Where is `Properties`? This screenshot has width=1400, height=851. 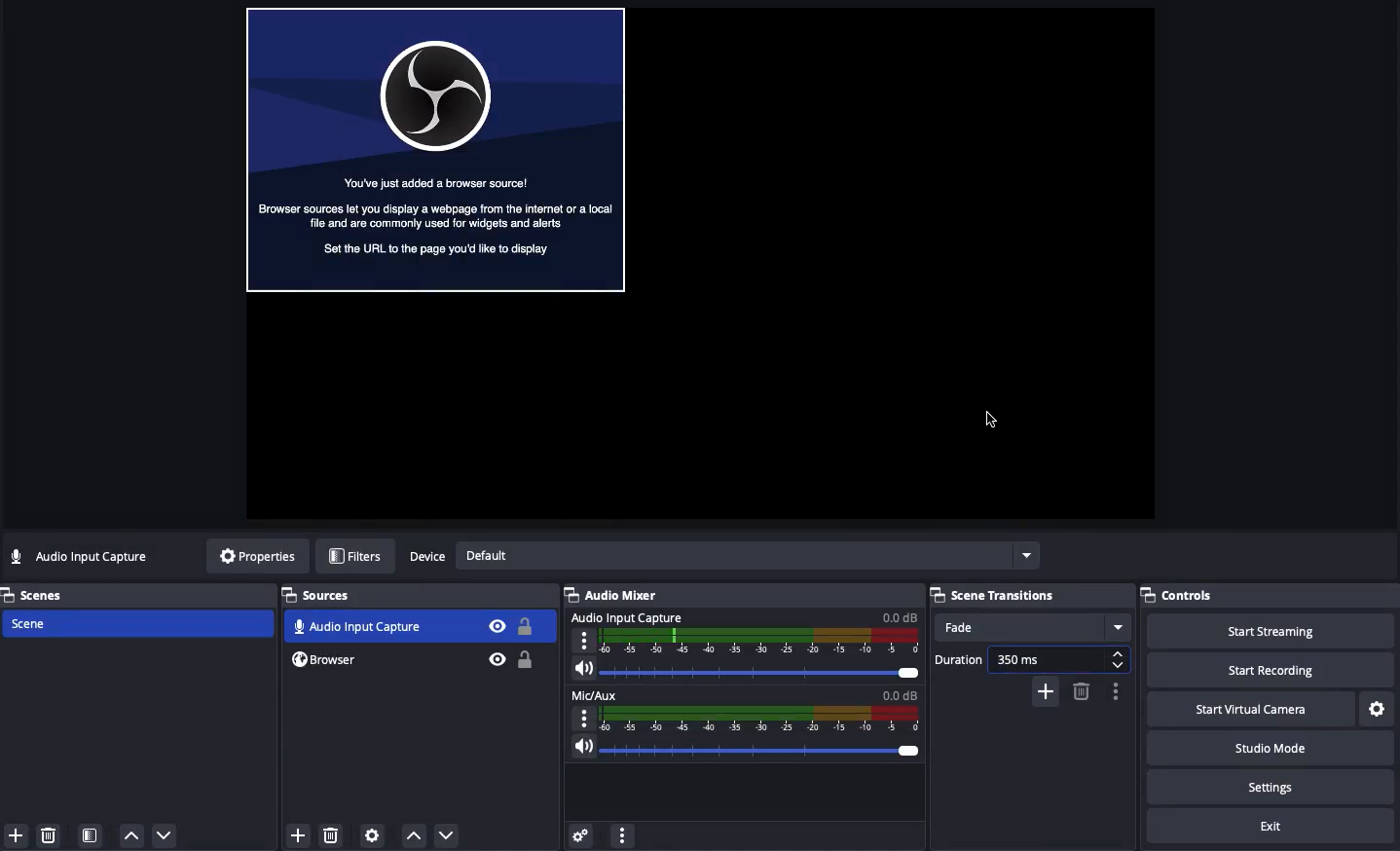 Properties is located at coordinates (257, 557).